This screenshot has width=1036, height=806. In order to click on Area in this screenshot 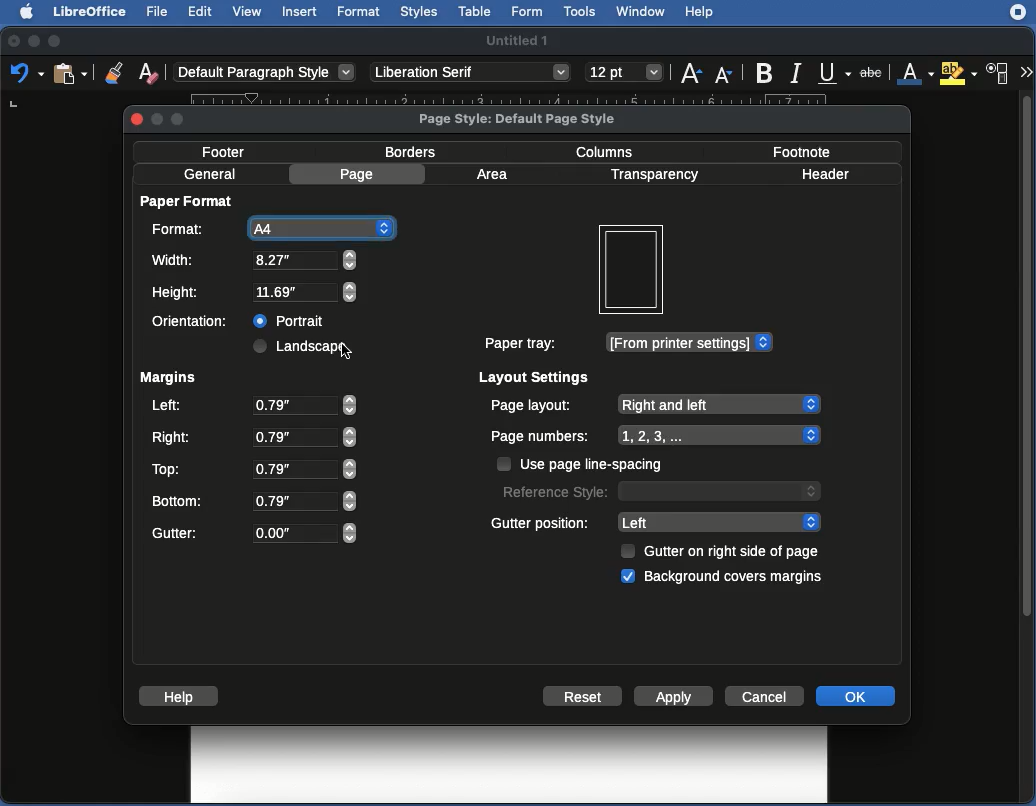, I will do `click(496, 174)`.